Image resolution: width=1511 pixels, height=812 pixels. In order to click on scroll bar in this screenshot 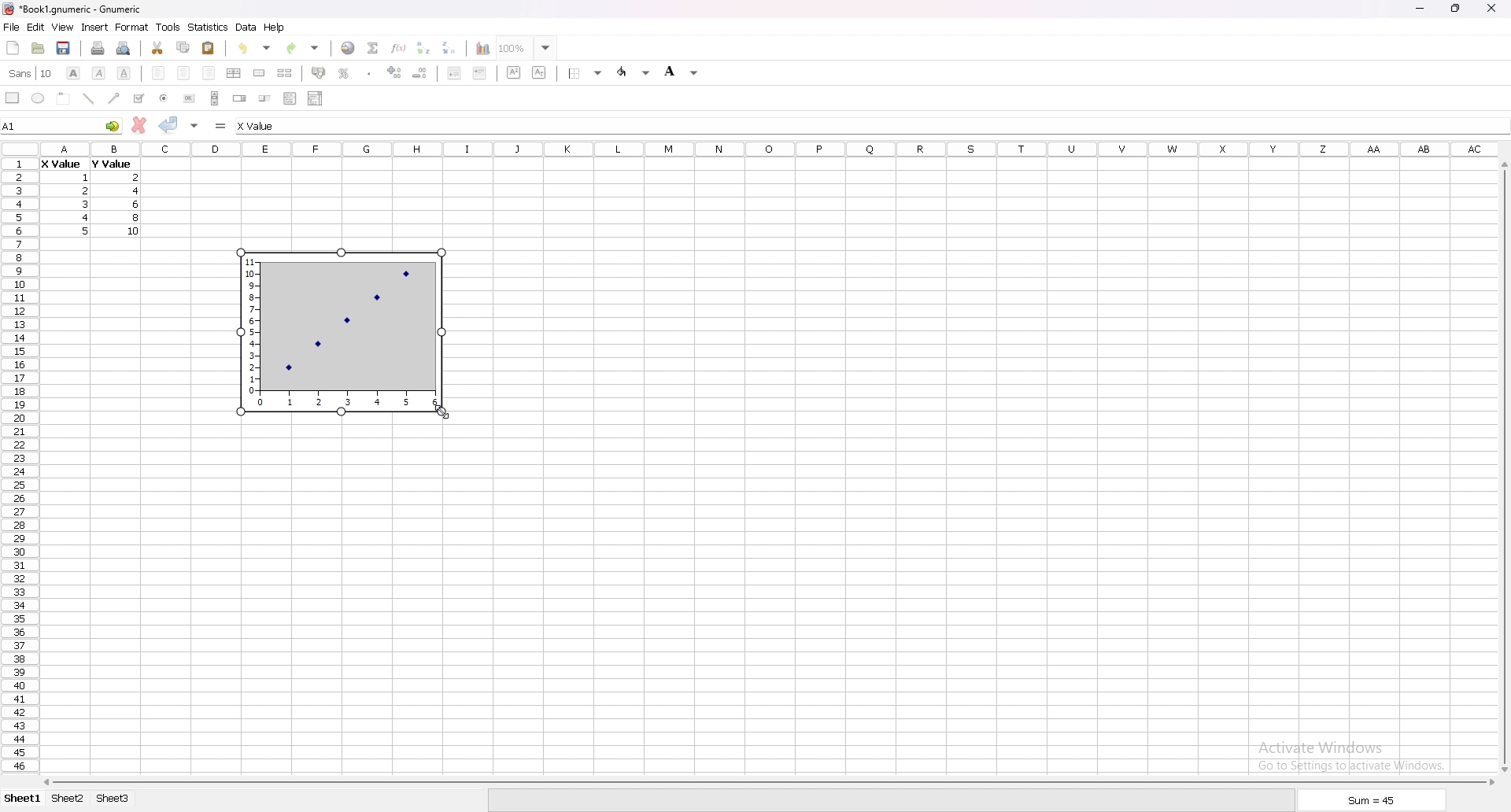, I will do `click(215, 98)`.